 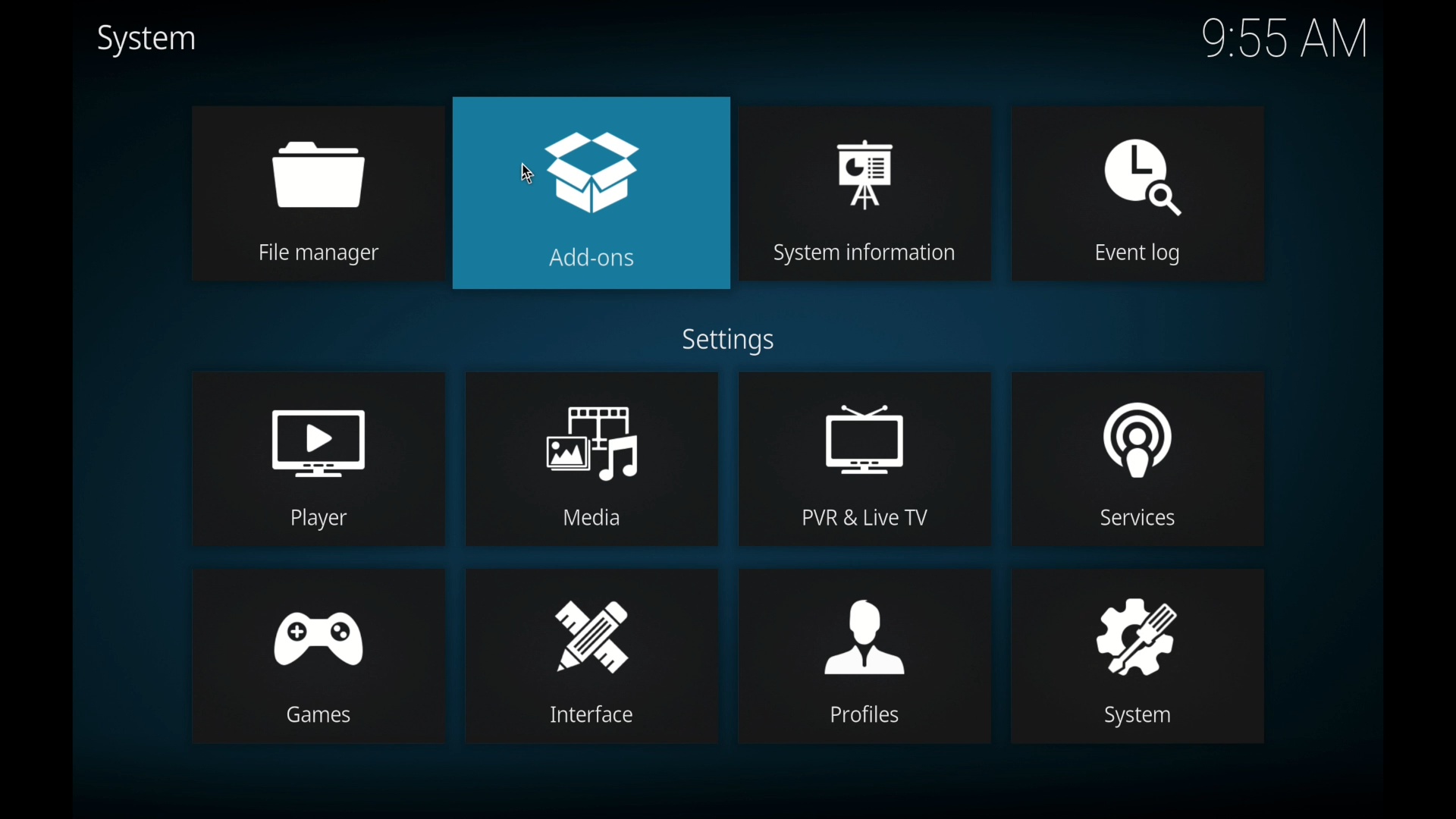 I want to click on Cursor, so click(x=527, y=174).